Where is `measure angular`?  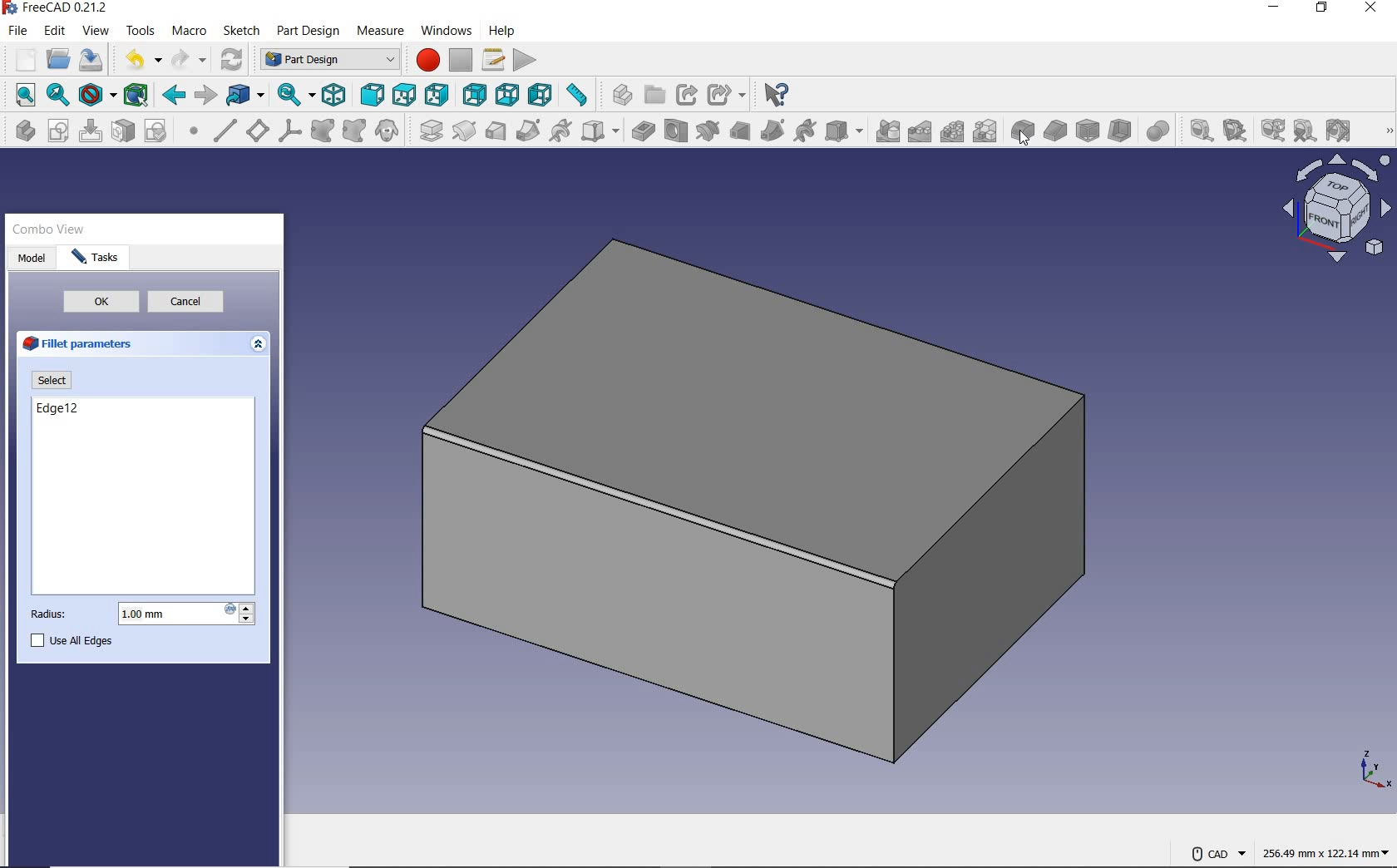
measure angular is located at coordinates (1237, 131).